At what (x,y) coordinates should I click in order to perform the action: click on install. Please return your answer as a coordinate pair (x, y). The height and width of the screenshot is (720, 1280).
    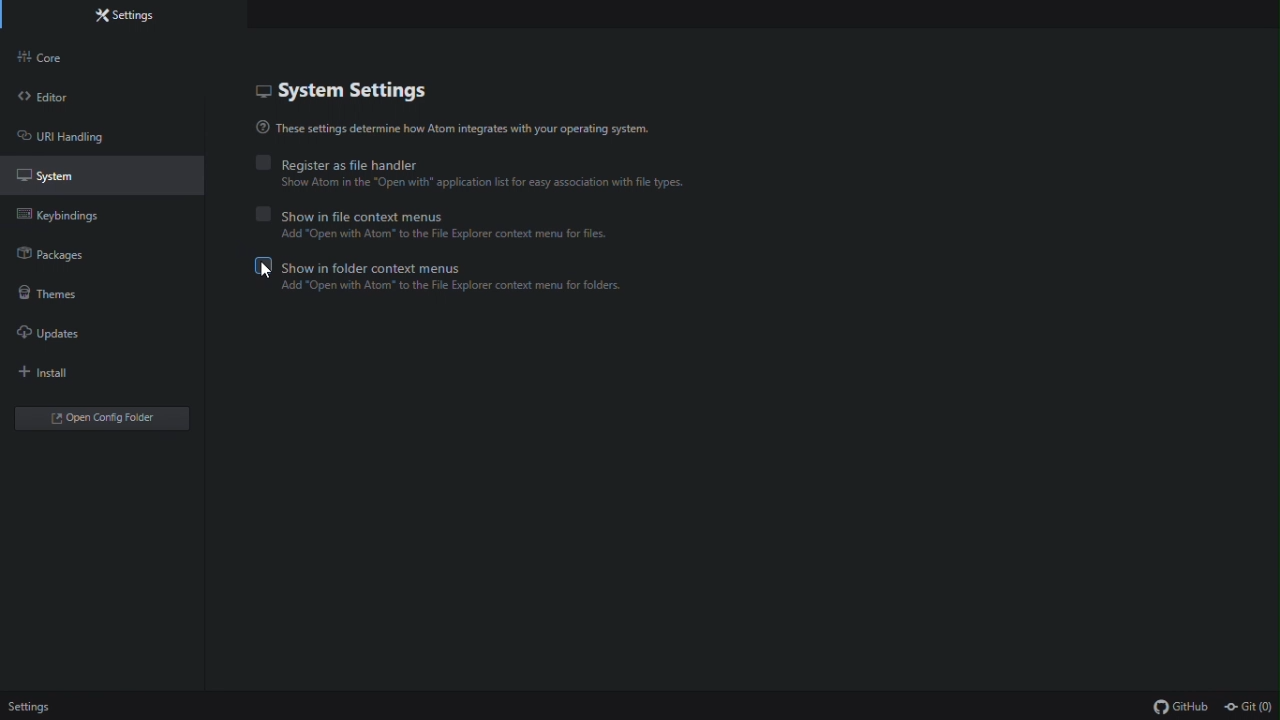
    Looking at the image, I should click on (85, 369).